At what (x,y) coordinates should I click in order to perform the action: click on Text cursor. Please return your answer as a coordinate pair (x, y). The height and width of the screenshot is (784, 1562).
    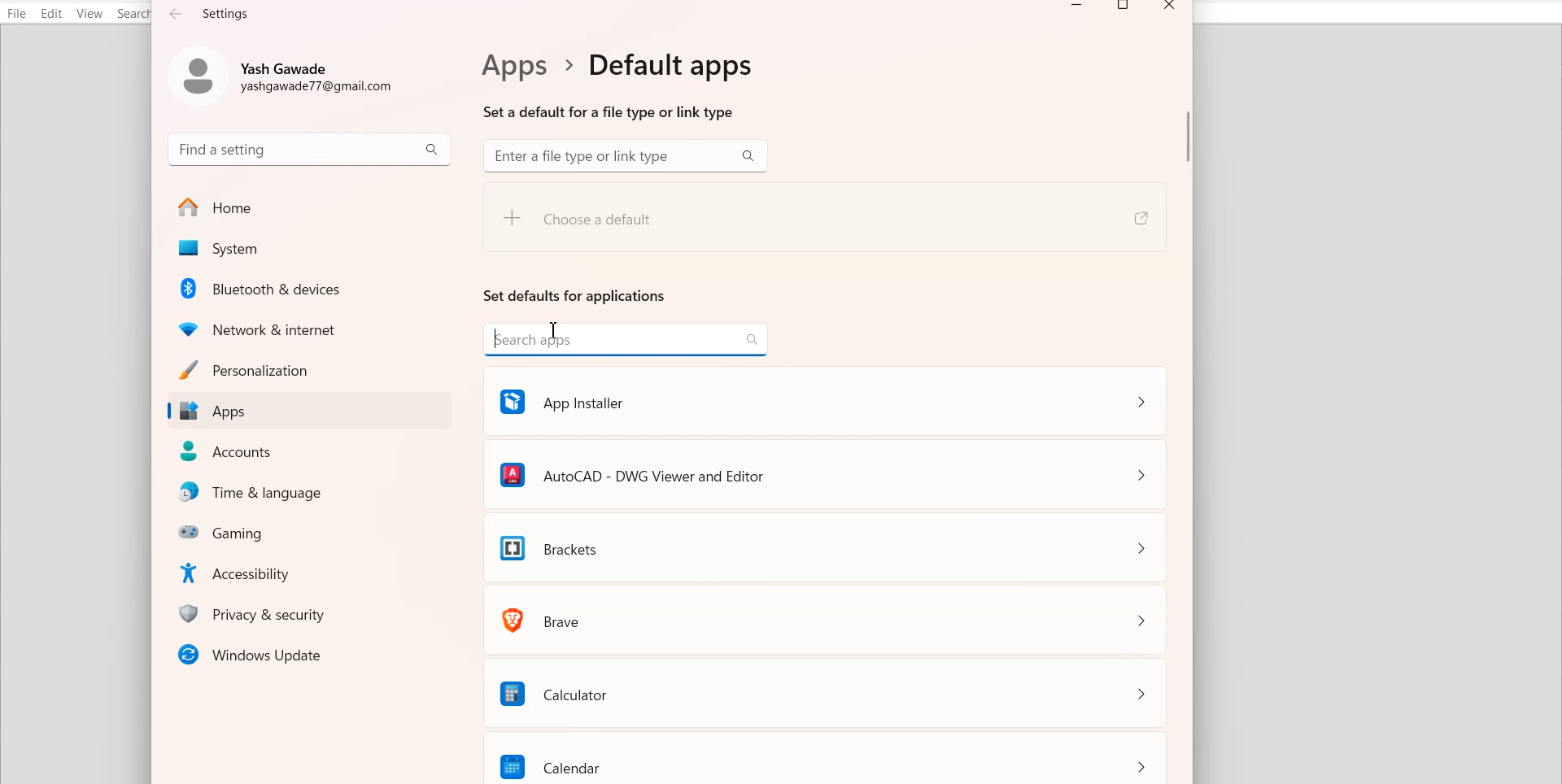
    Looking at the image, I should click on (556, 330).